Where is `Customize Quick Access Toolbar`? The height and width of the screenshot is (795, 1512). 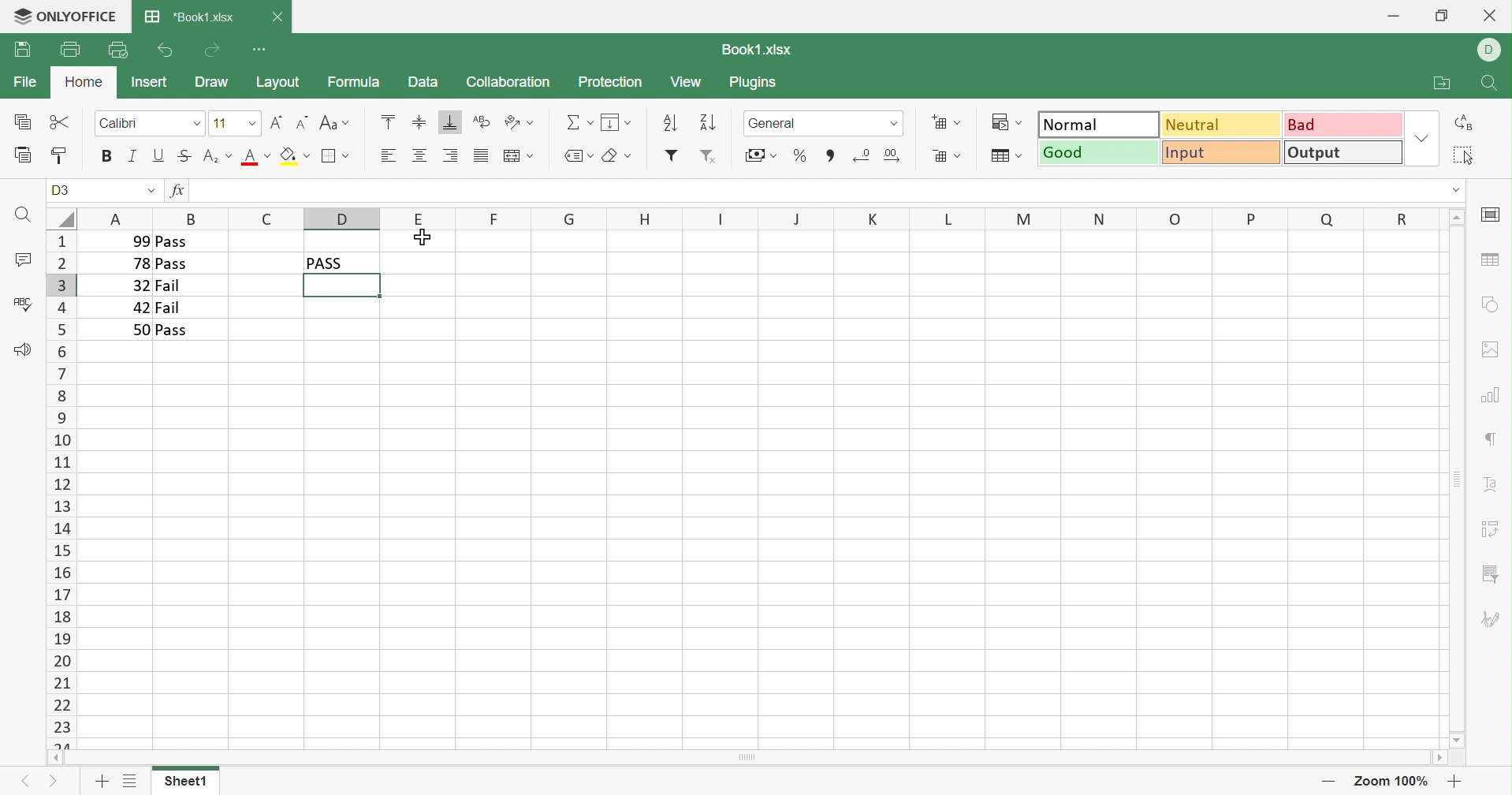
Customize Quick Access Toolbar is located at coordinates (262, 50).